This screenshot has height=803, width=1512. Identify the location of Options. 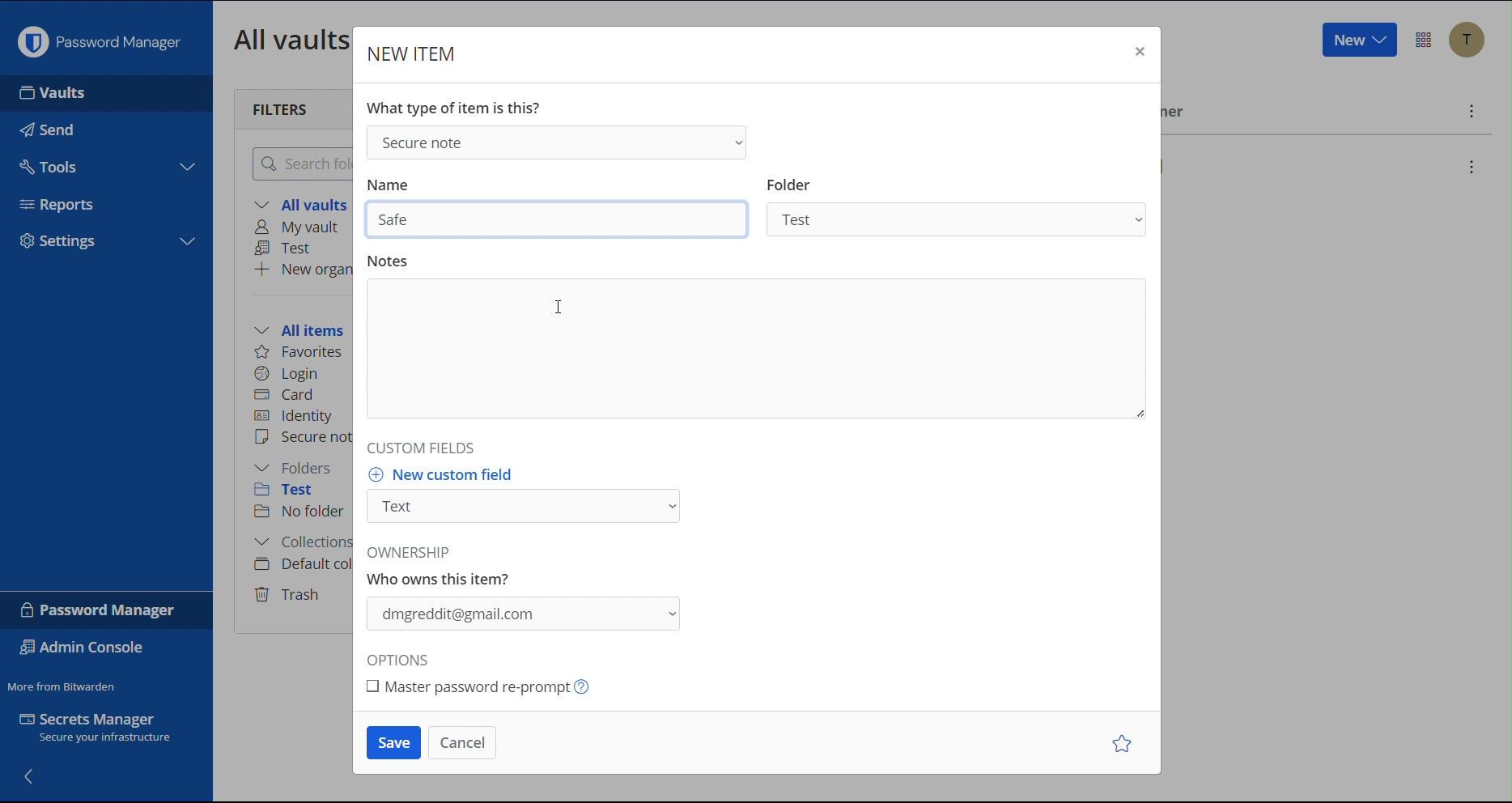
(403, 661).